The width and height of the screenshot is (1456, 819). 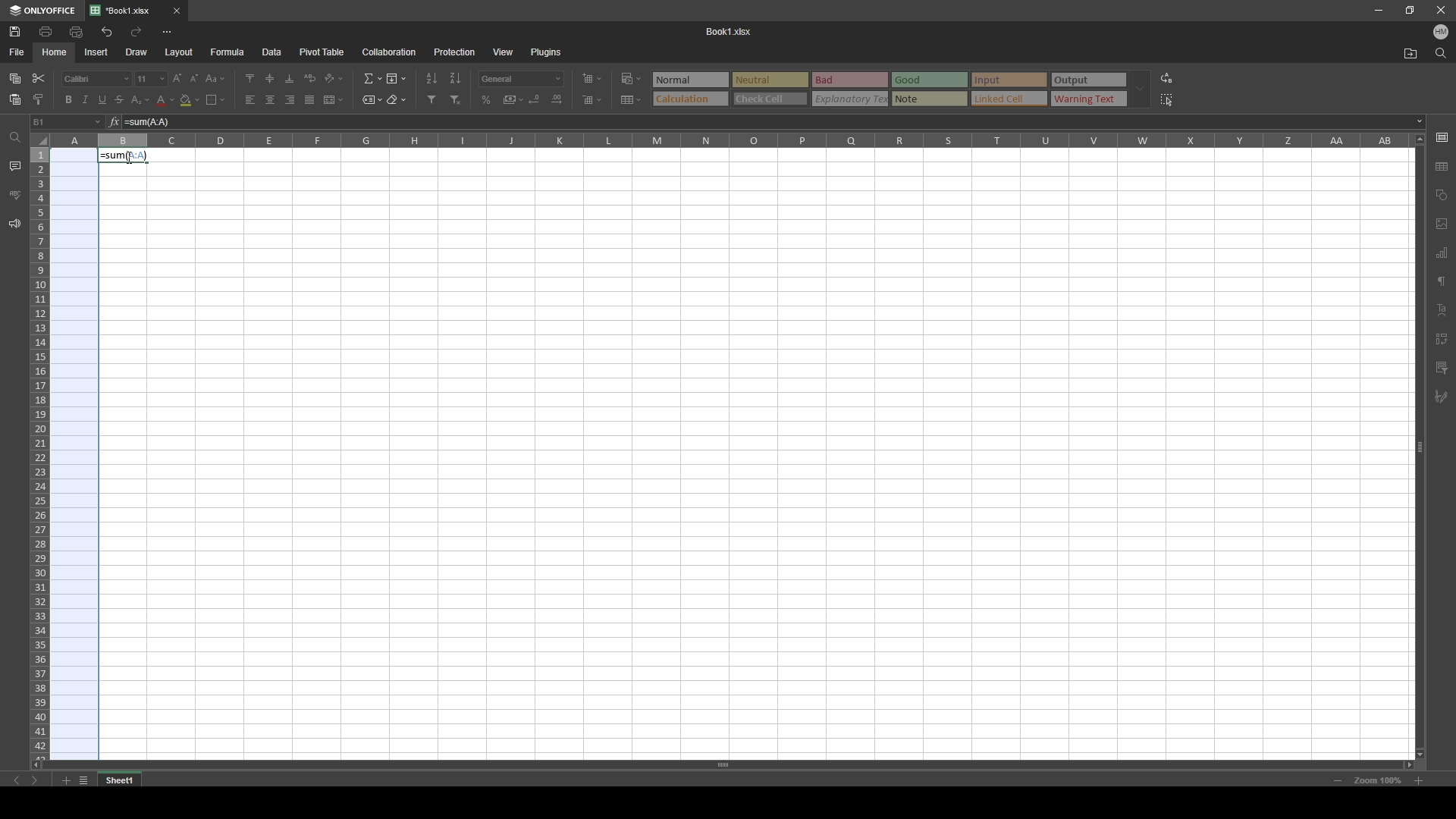 What do you see at coordinates (591, 80) in the screenshot?
I see `insert cells` at bounding box center [591, 80].